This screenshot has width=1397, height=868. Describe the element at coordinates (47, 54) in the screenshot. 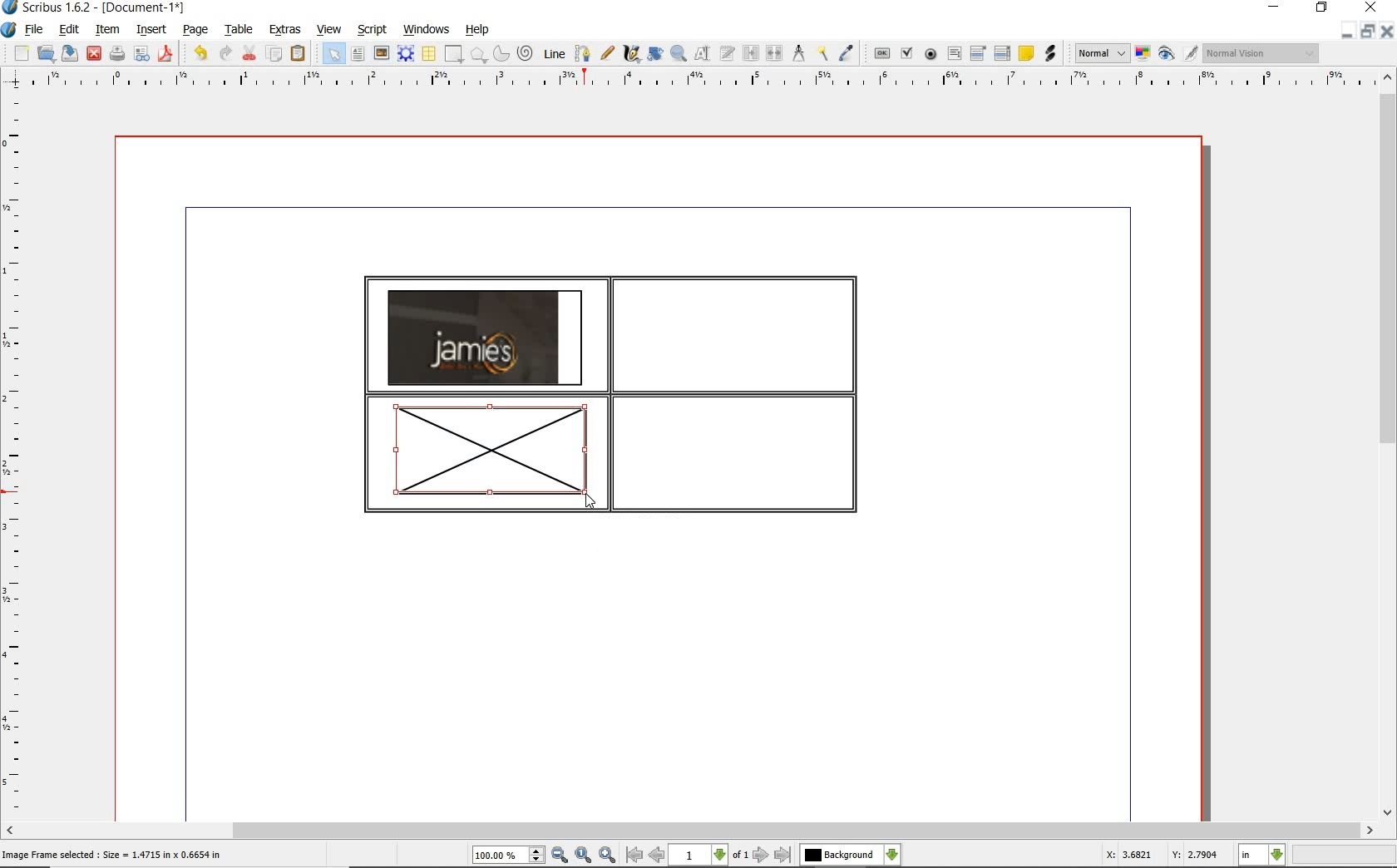

I see `open` at that location.